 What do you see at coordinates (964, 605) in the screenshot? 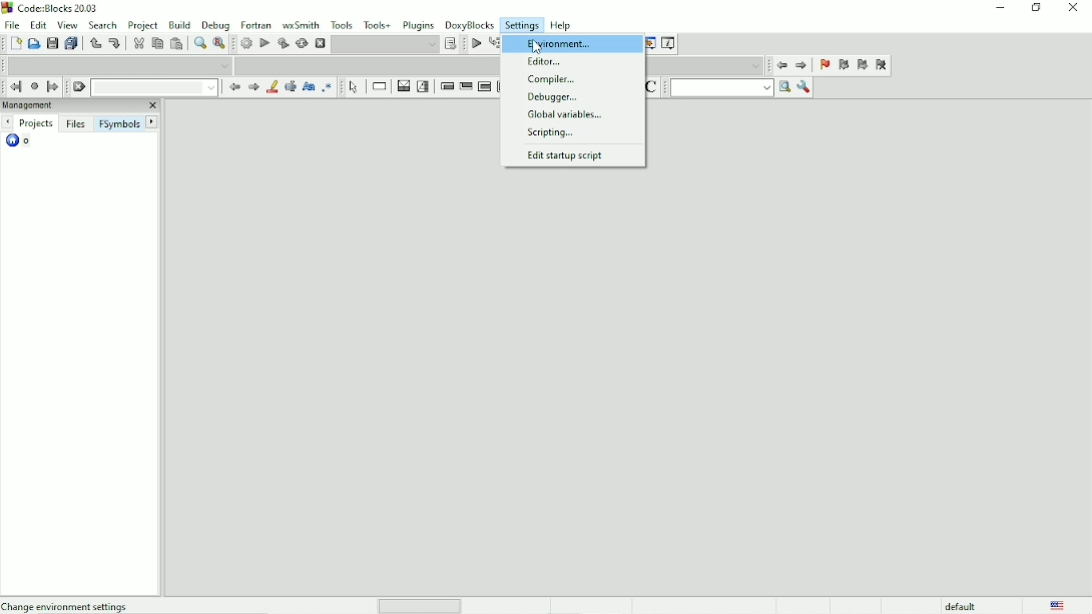
I see `default` at bounding box center [964, 605].